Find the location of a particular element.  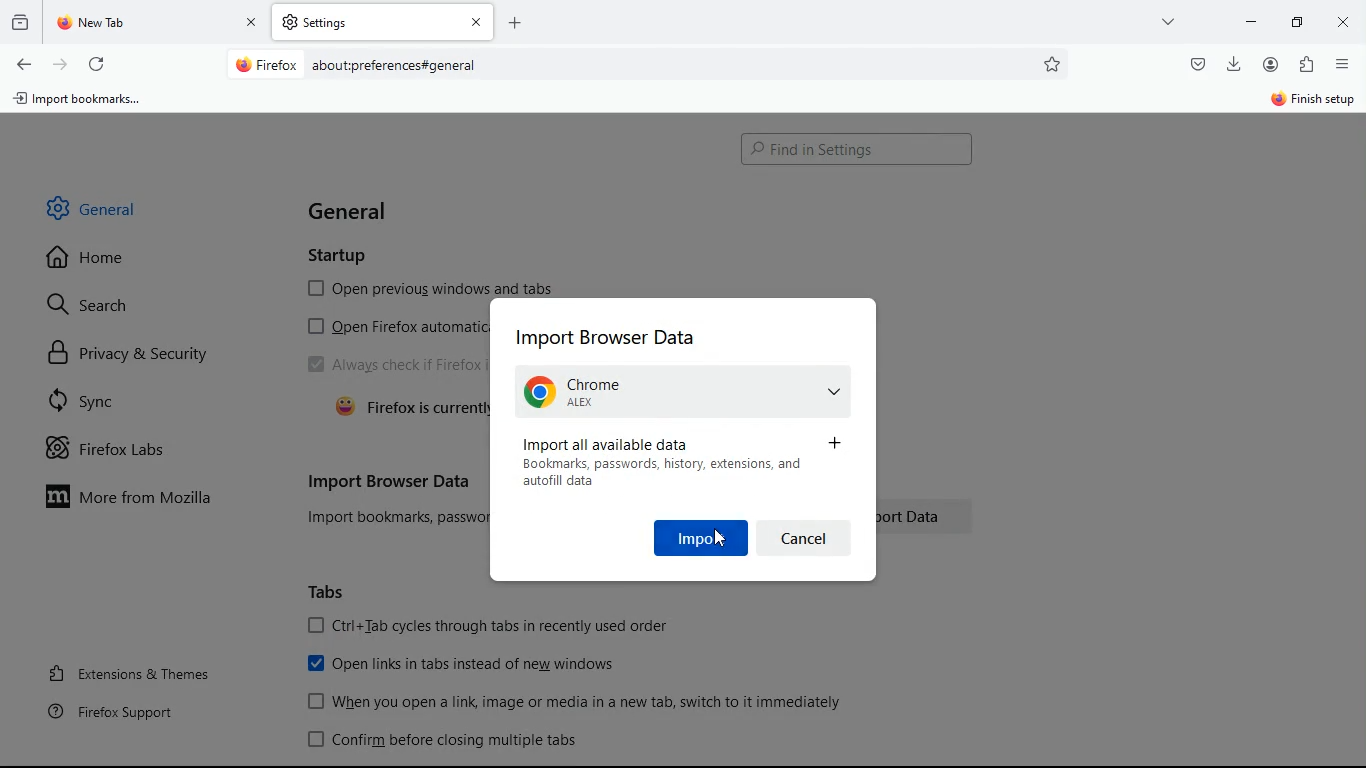

pocket is located at coordinates (1196, 65).